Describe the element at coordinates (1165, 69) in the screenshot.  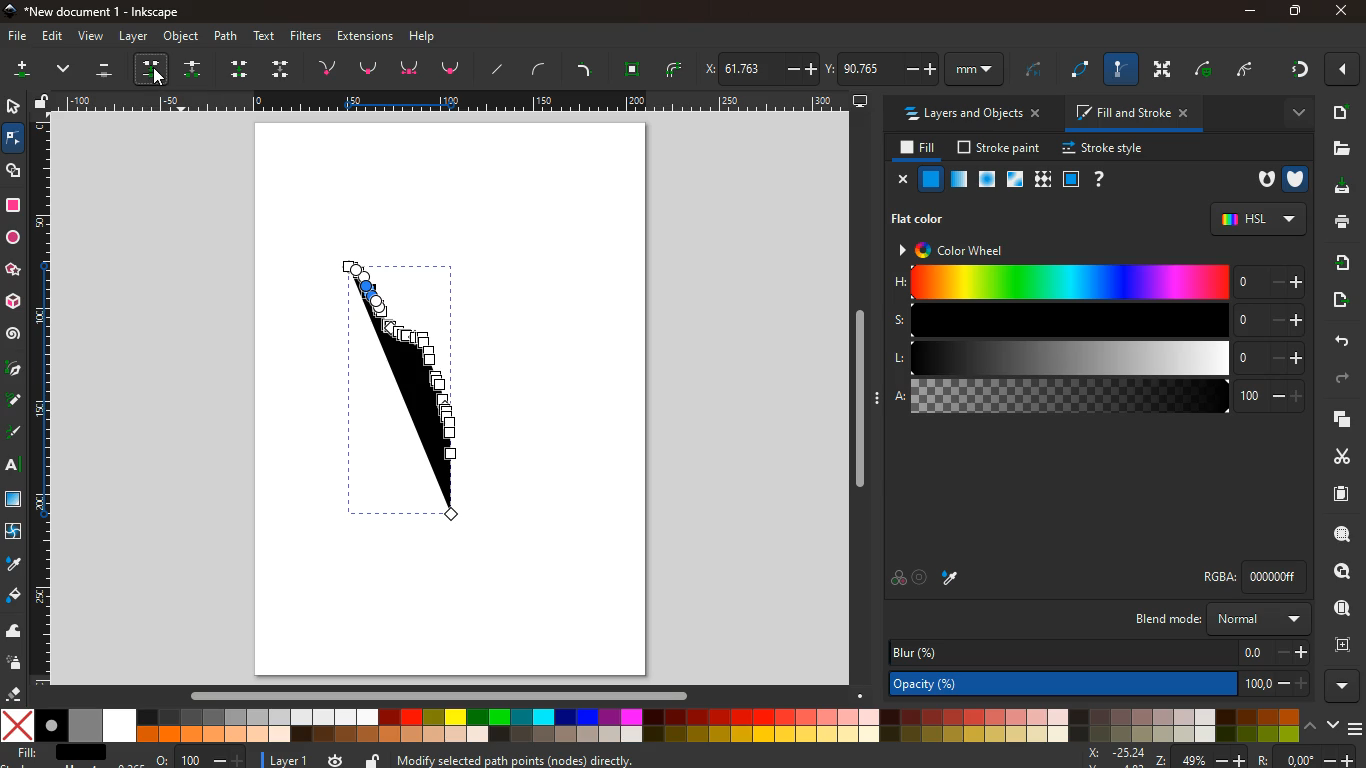
I see `fullscreen` at that location.